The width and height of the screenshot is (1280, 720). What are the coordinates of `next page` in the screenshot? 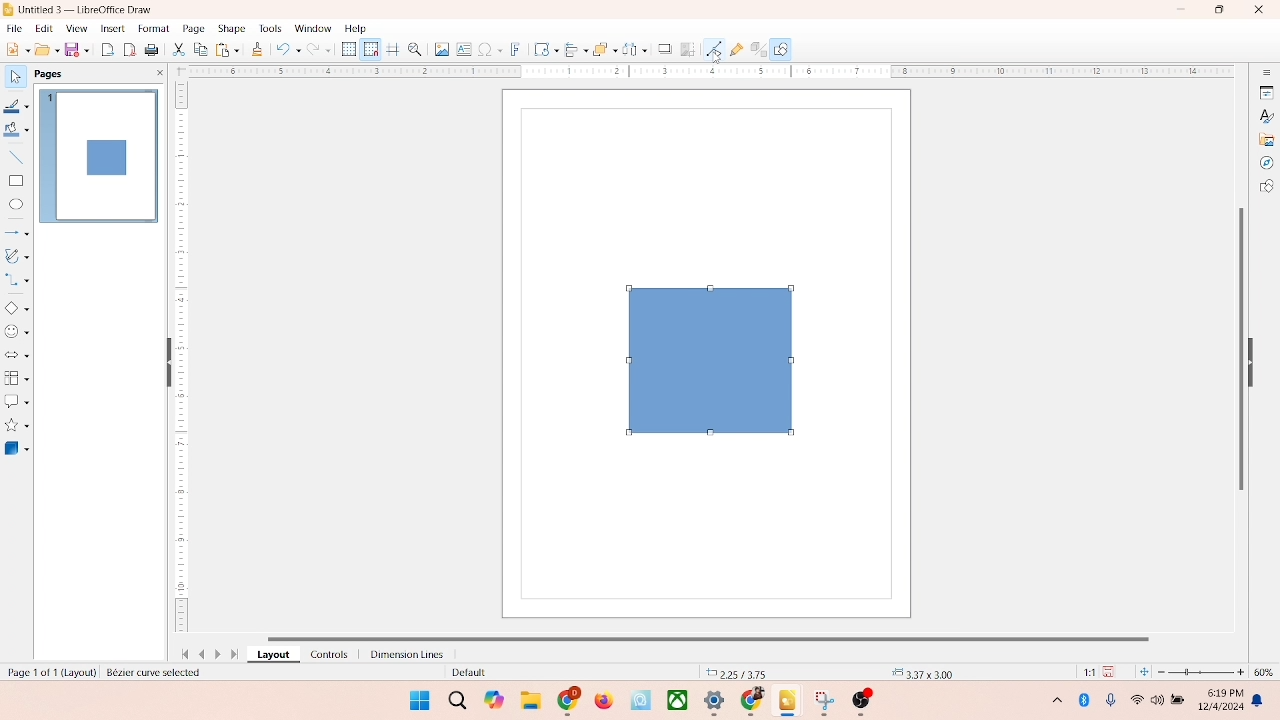 It's located at (220, 654).